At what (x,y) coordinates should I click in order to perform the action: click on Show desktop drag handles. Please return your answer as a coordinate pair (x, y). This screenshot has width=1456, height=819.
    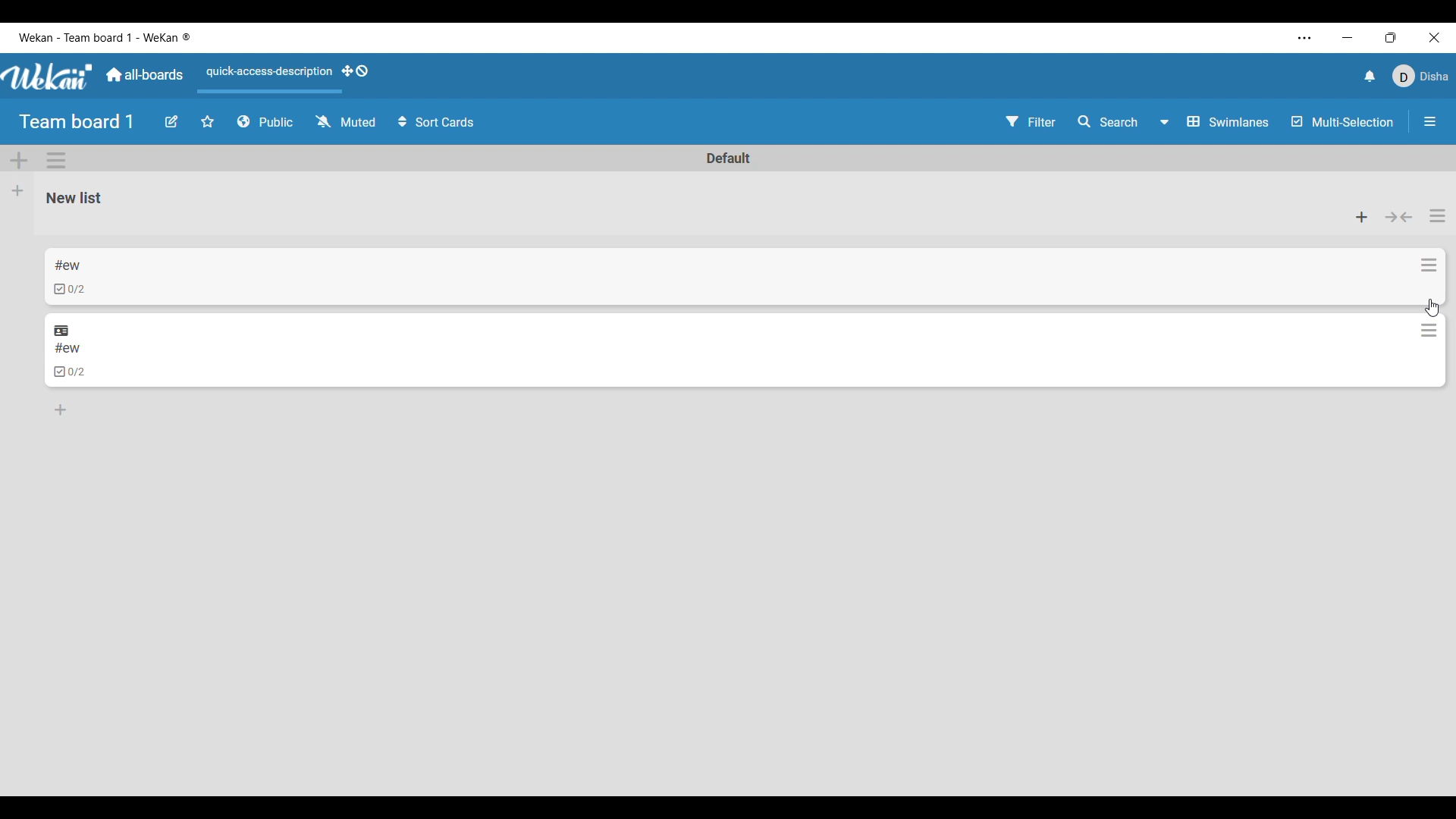
    Looking at the image, I should click on (355, 71).